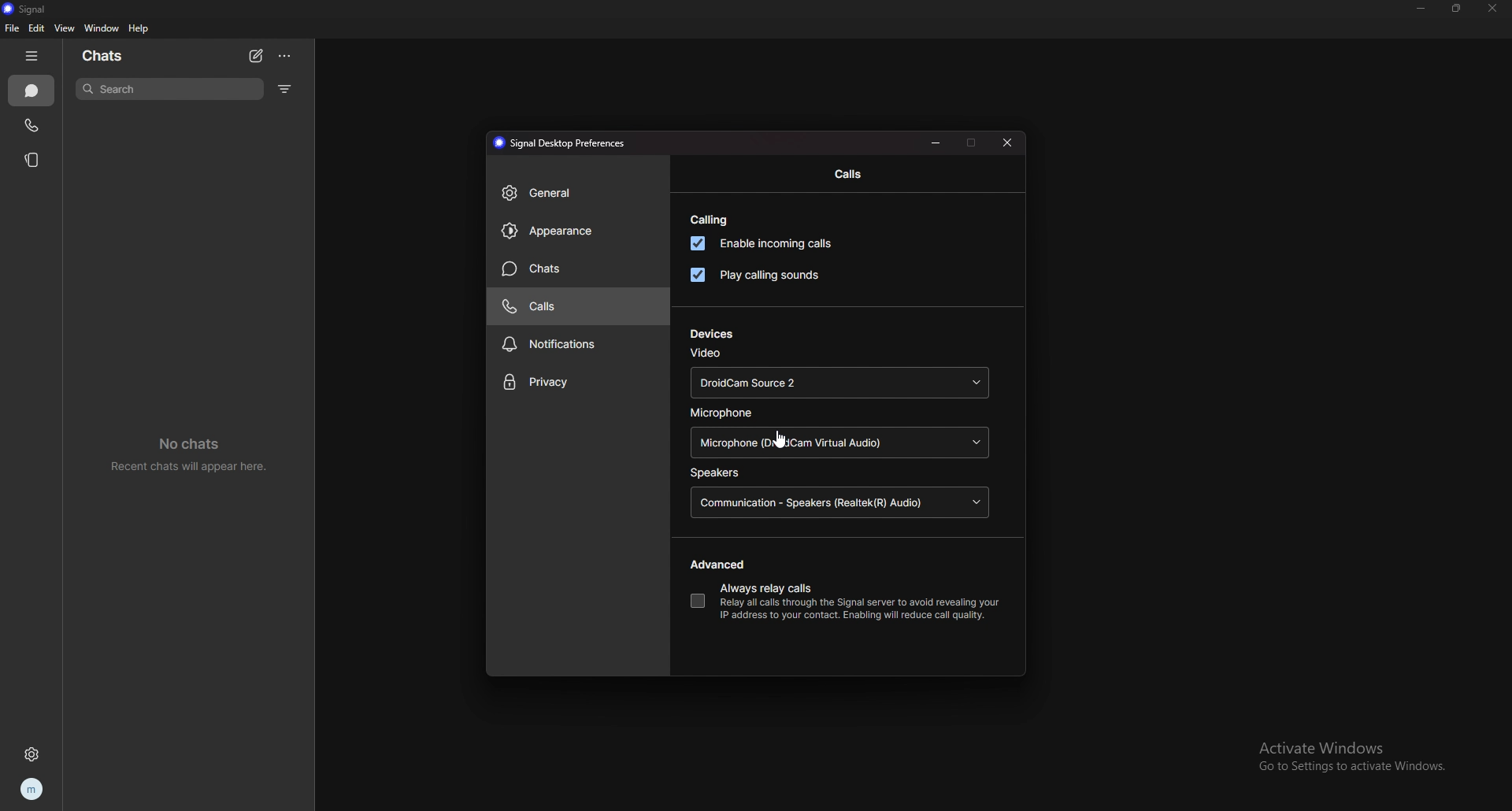 This screenshot has width=1512, height=811. Describe the element at coordinates (113, 54) in the screenshot. I see `chats` at that location.